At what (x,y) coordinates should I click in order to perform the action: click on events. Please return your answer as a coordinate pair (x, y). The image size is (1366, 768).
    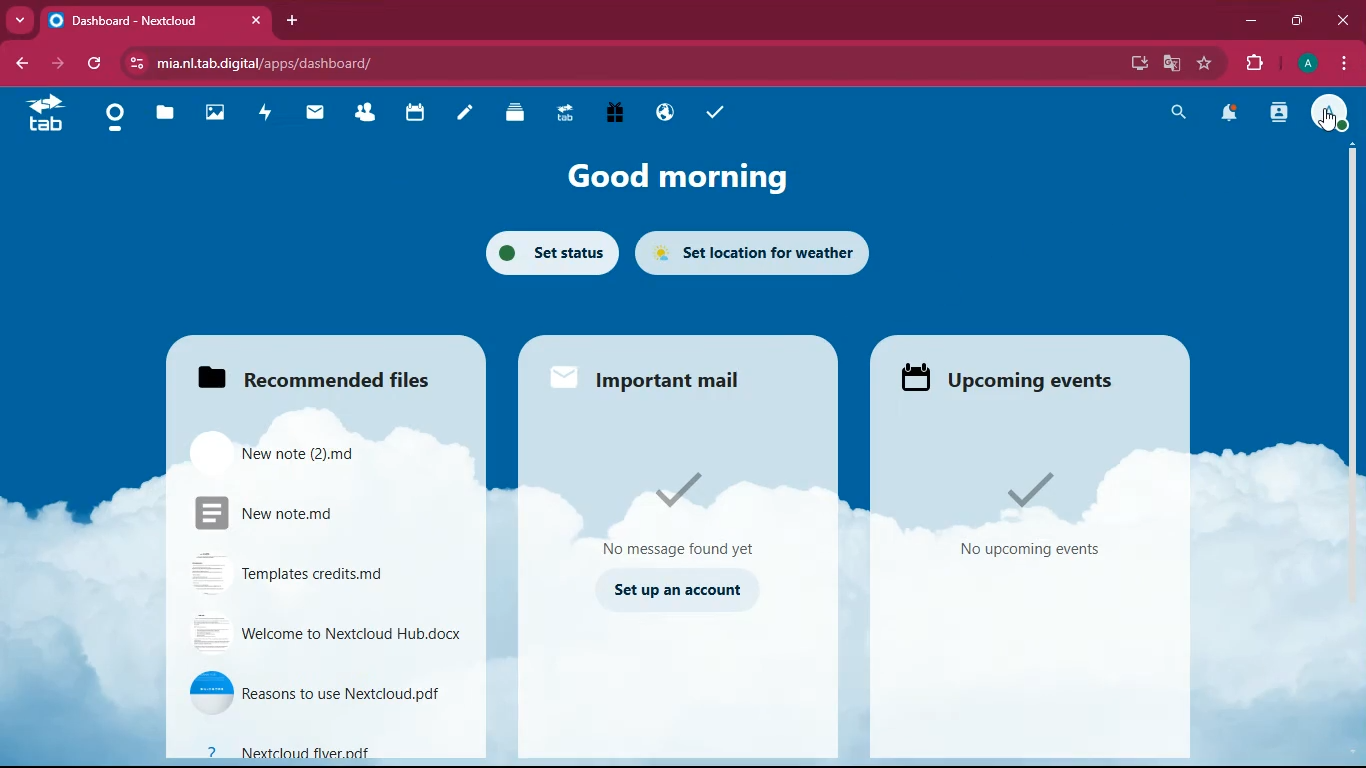
    Looking at the image, I should click on (1029, 518).